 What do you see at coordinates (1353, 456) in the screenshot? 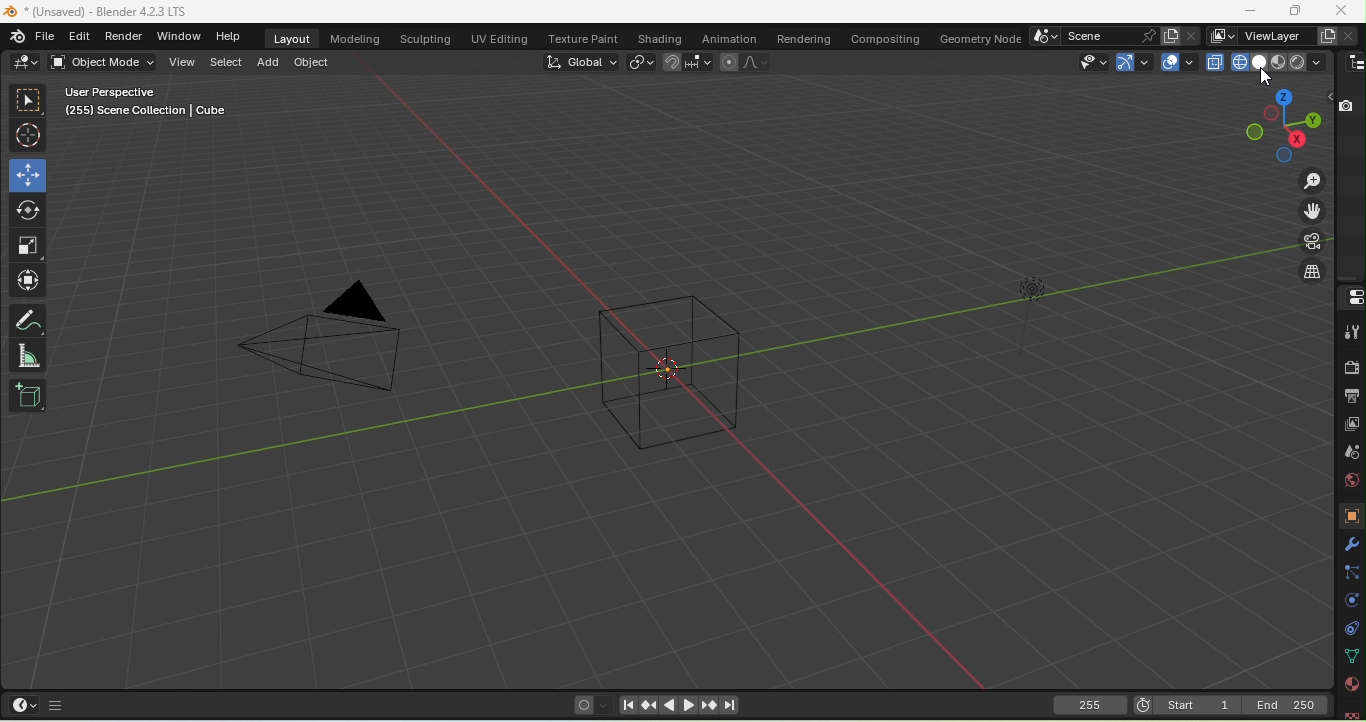
I see `Scene` at bounding box center [1353, 456].